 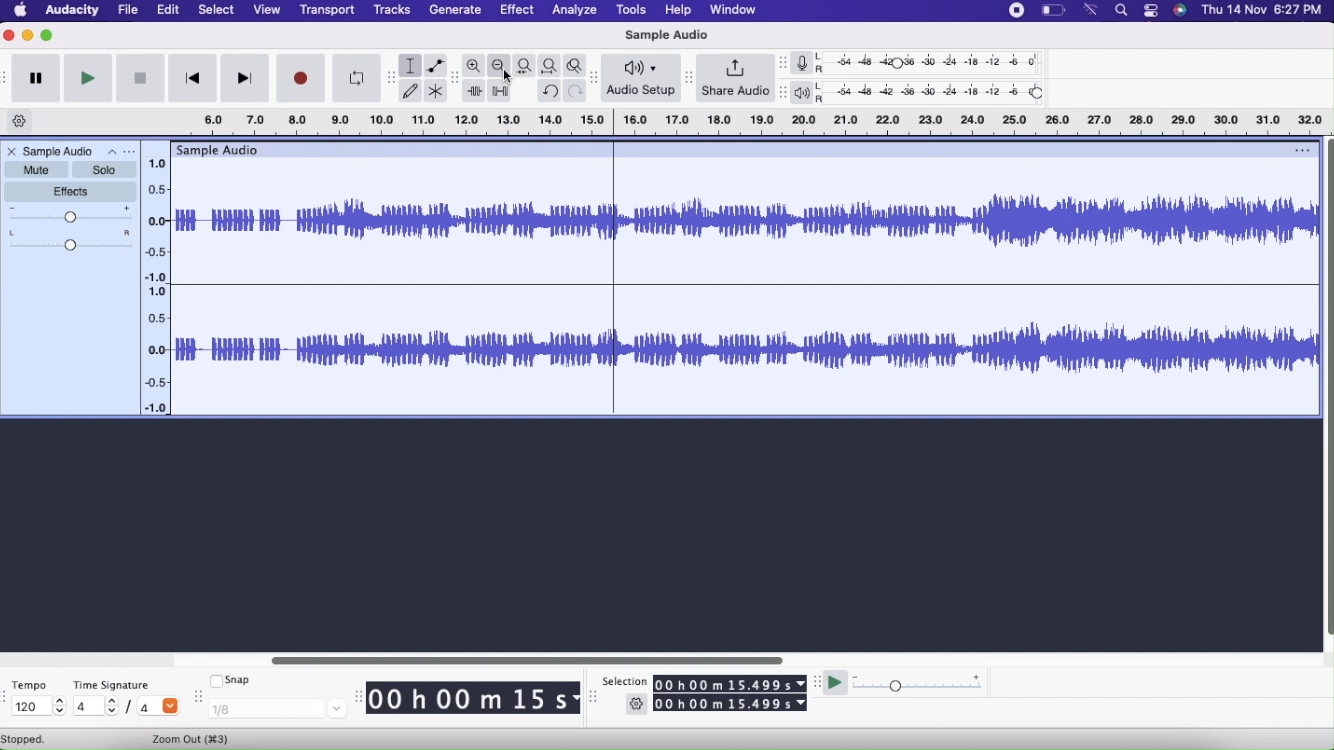 What do you see at coordinates (730, 681) in the screenshot?
I see `00 h 00 m 15.499 s` at bounding box center [730, 681].